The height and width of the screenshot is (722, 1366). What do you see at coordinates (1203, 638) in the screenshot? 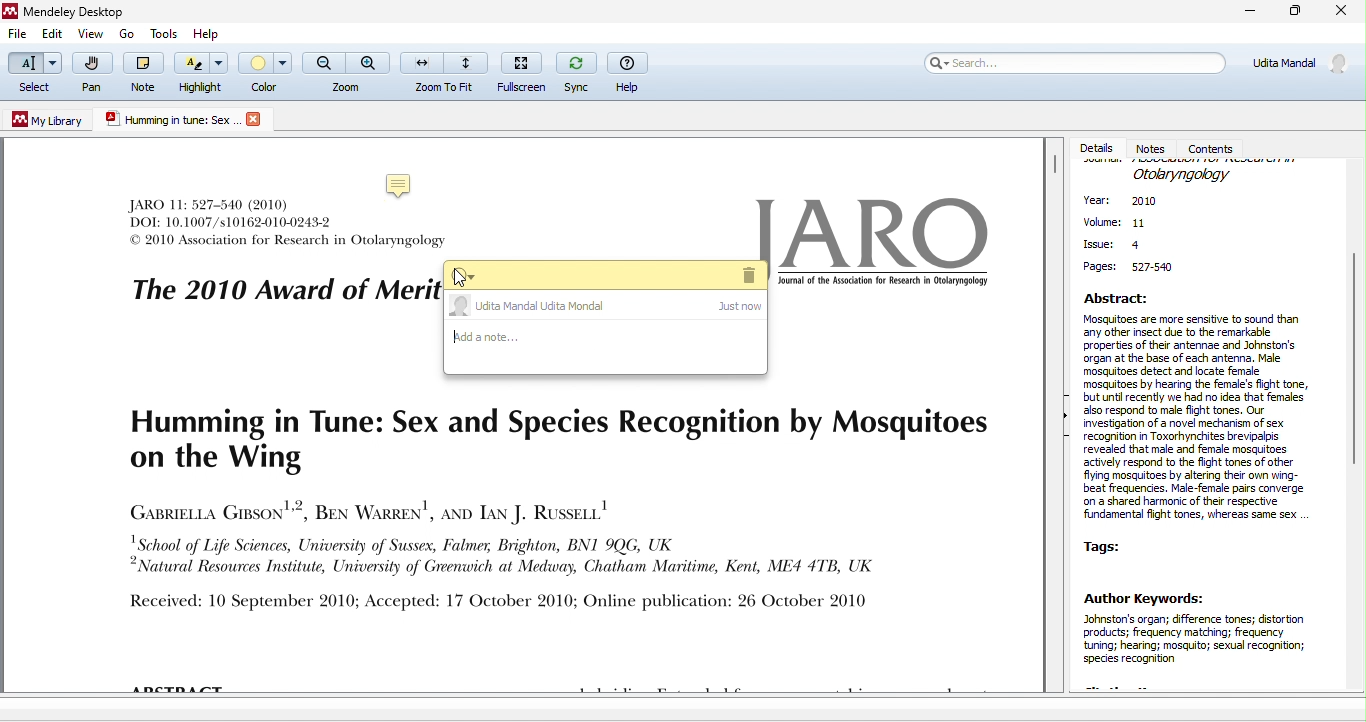
I see `author keywords` at bounding box center [1203, 638].